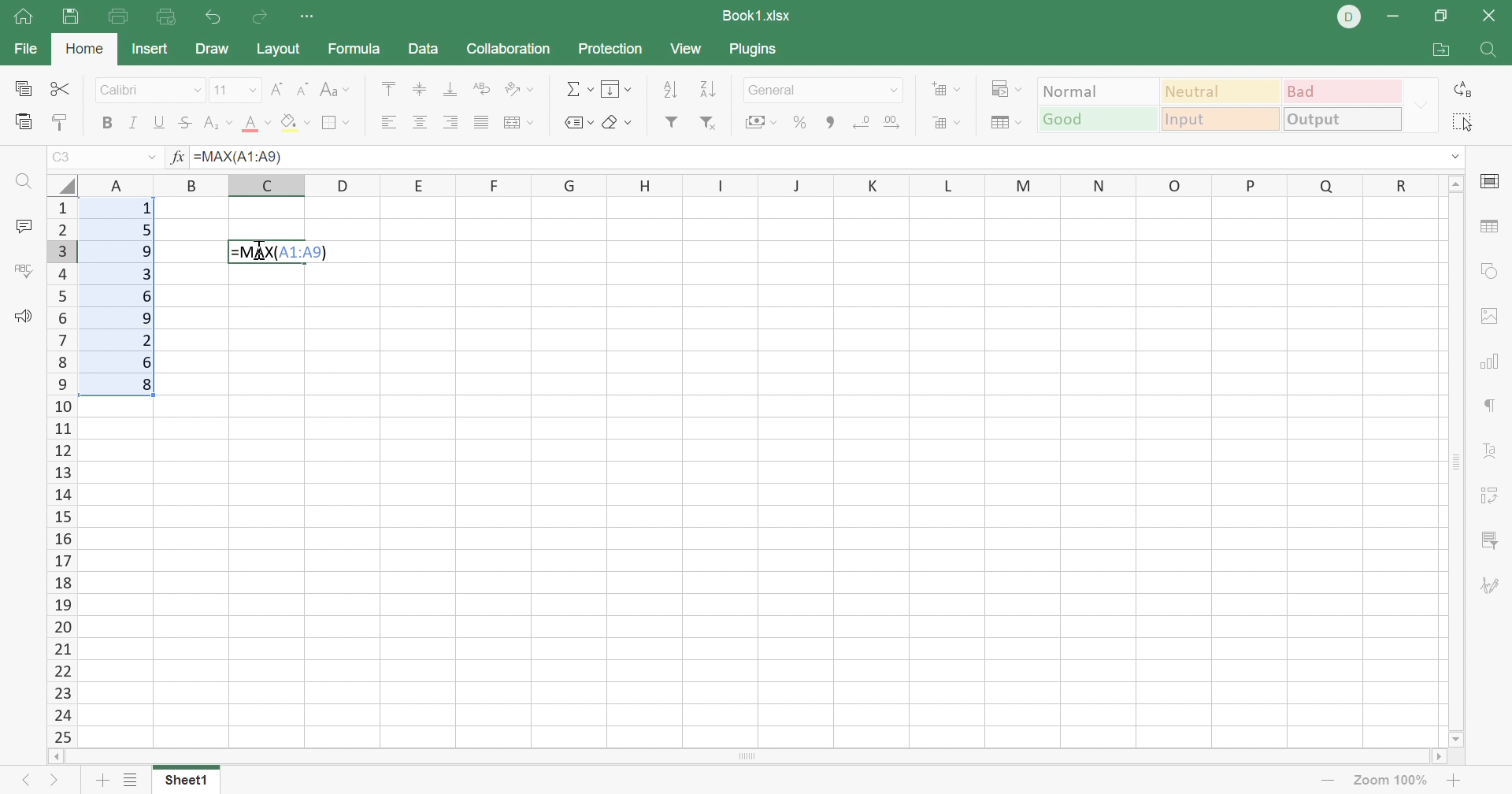 The image size is (1512, 794). I want to click on formula bar, so click(859, 158).